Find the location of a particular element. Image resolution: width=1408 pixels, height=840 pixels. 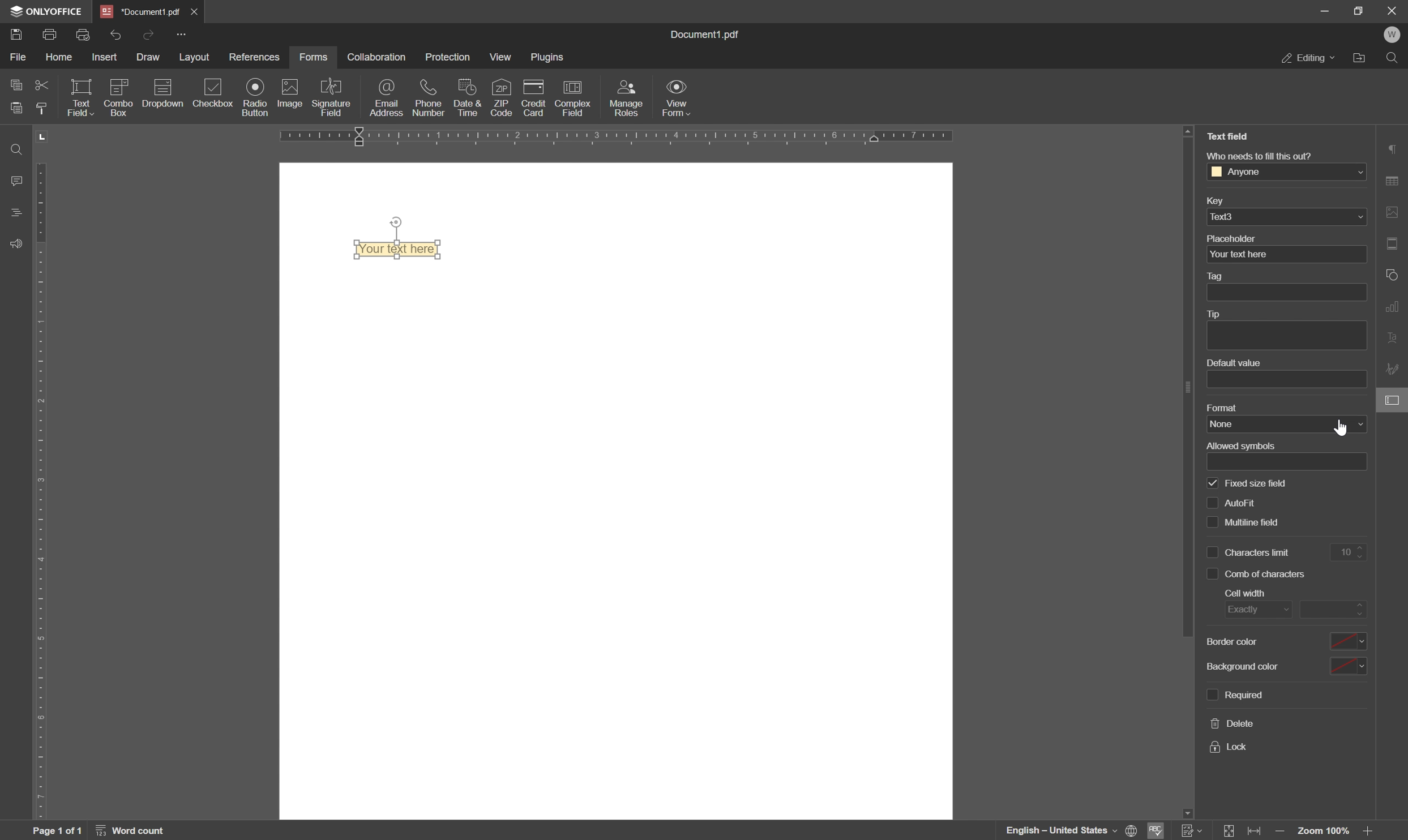

delete is located at coordinates (1232, 725).